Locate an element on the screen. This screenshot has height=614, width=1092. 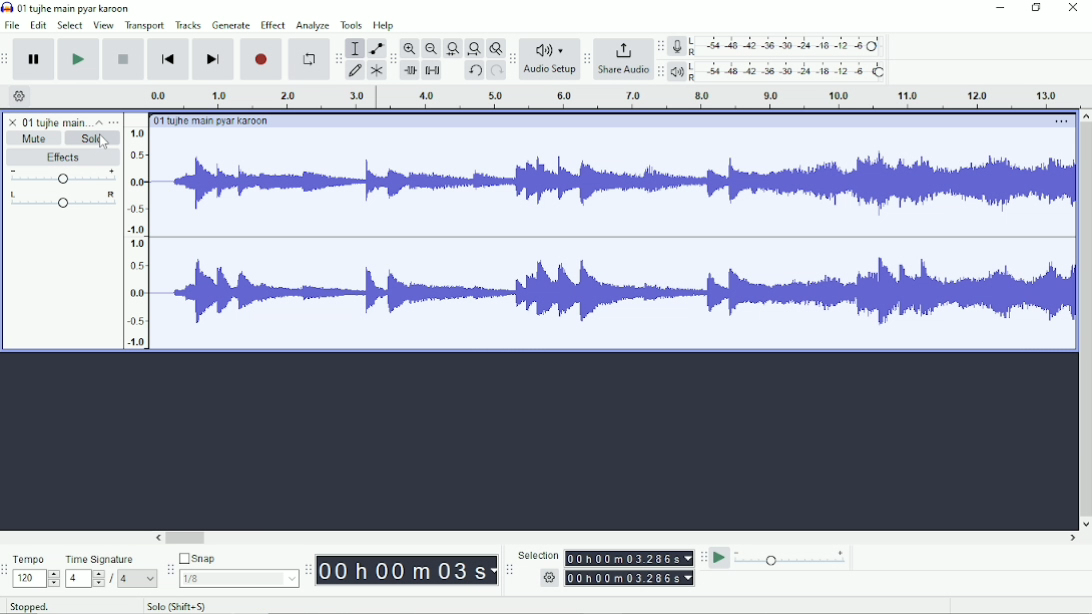
Pan is located at coordinates (63, 202).